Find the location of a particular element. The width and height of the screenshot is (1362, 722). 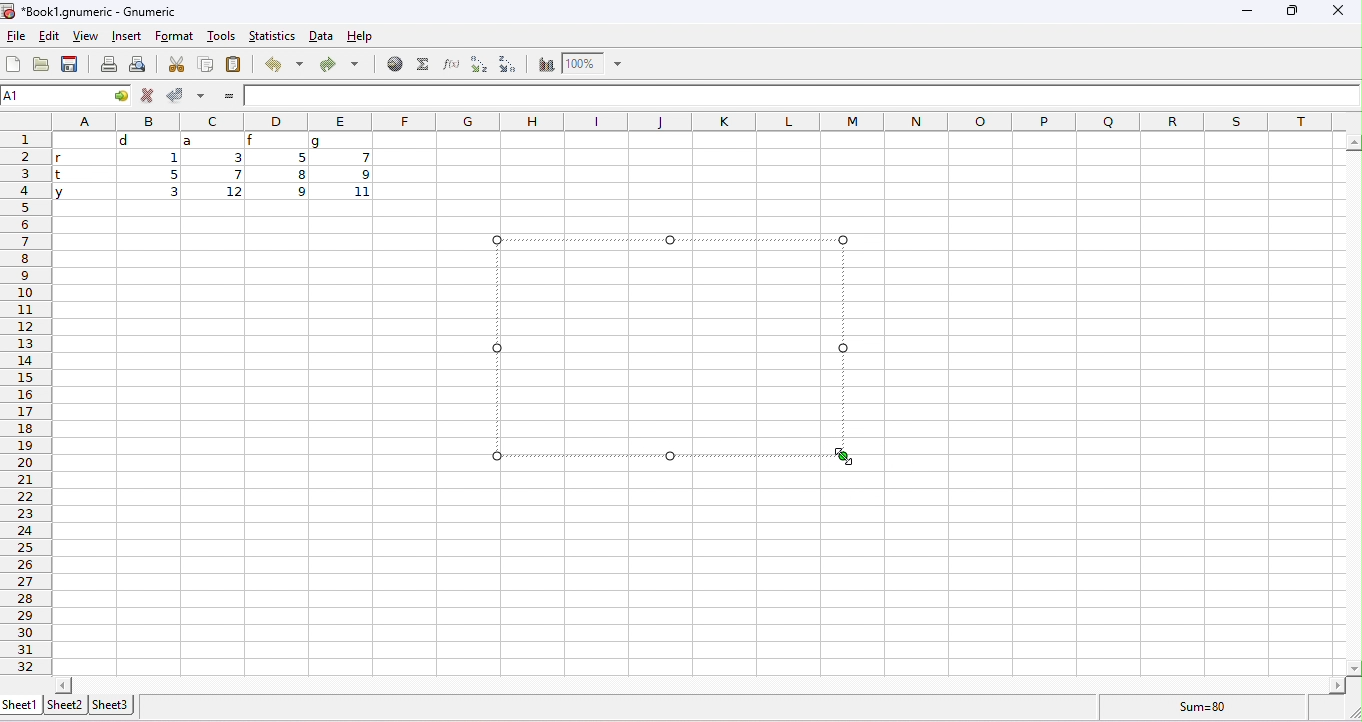

hyperlink is located at coordinates (392, 63).